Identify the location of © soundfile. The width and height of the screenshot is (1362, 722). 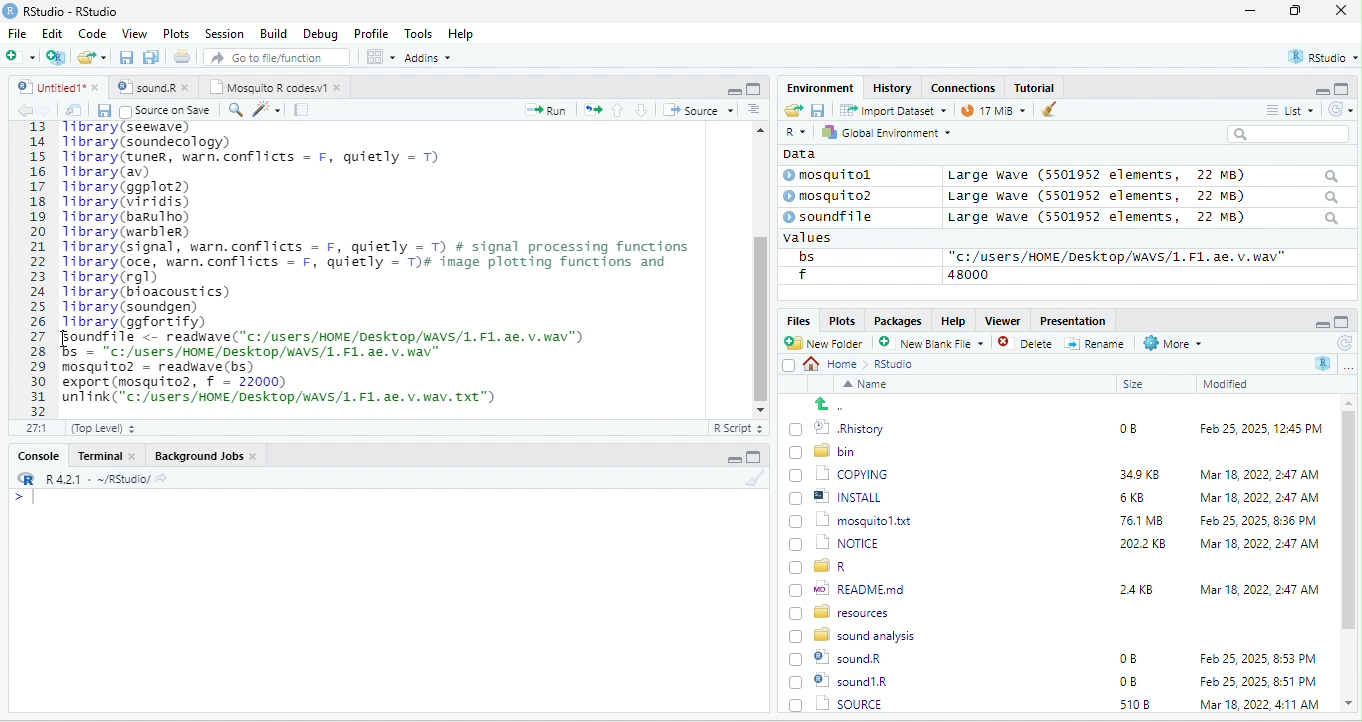
(837, 216).